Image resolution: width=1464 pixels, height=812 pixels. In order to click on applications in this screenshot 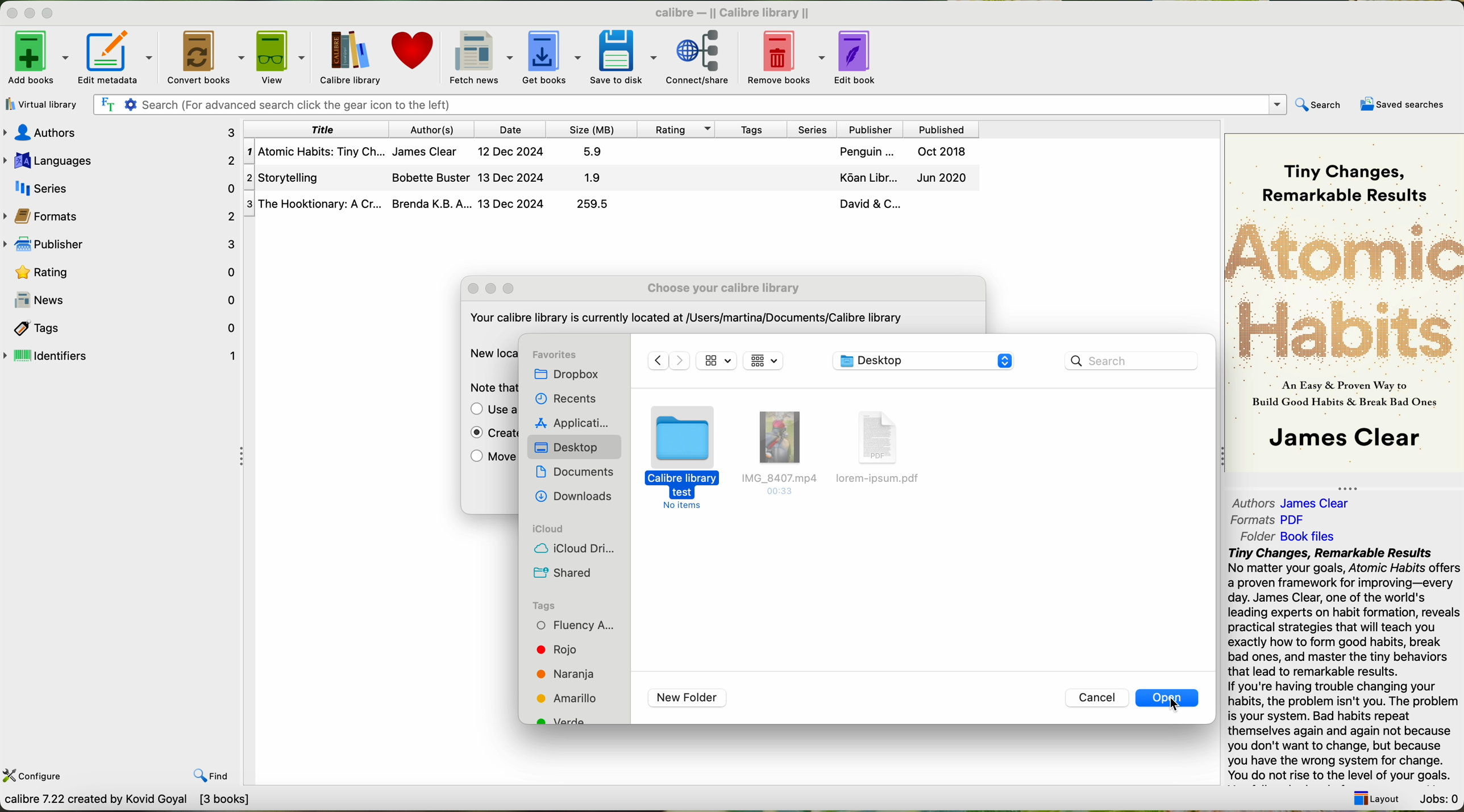, I will do `click(572, 423)`.